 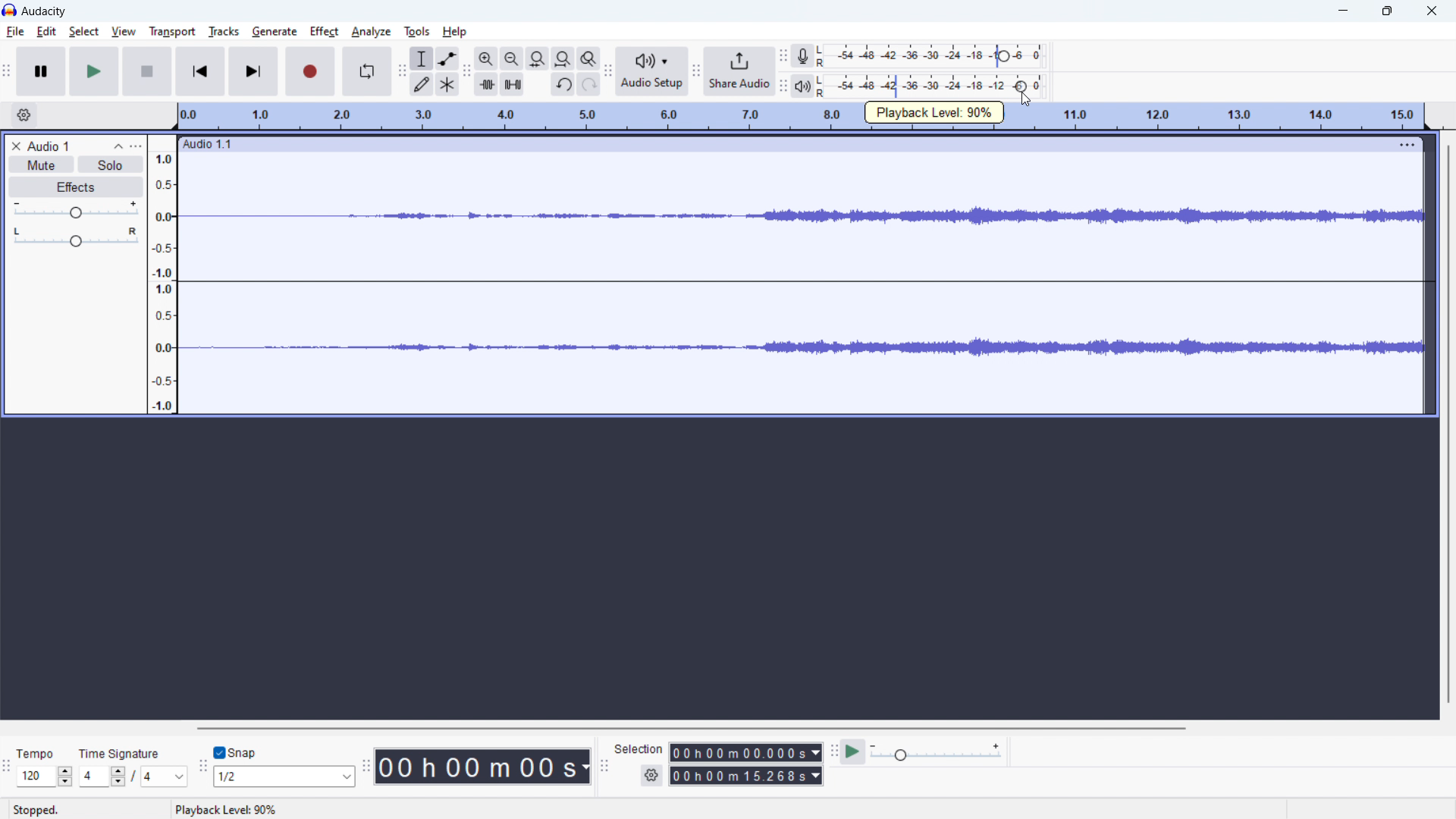 What do you see at coordinates (745, 776) in the screenshot?
I see `end time` at bounding box center [745, 776].